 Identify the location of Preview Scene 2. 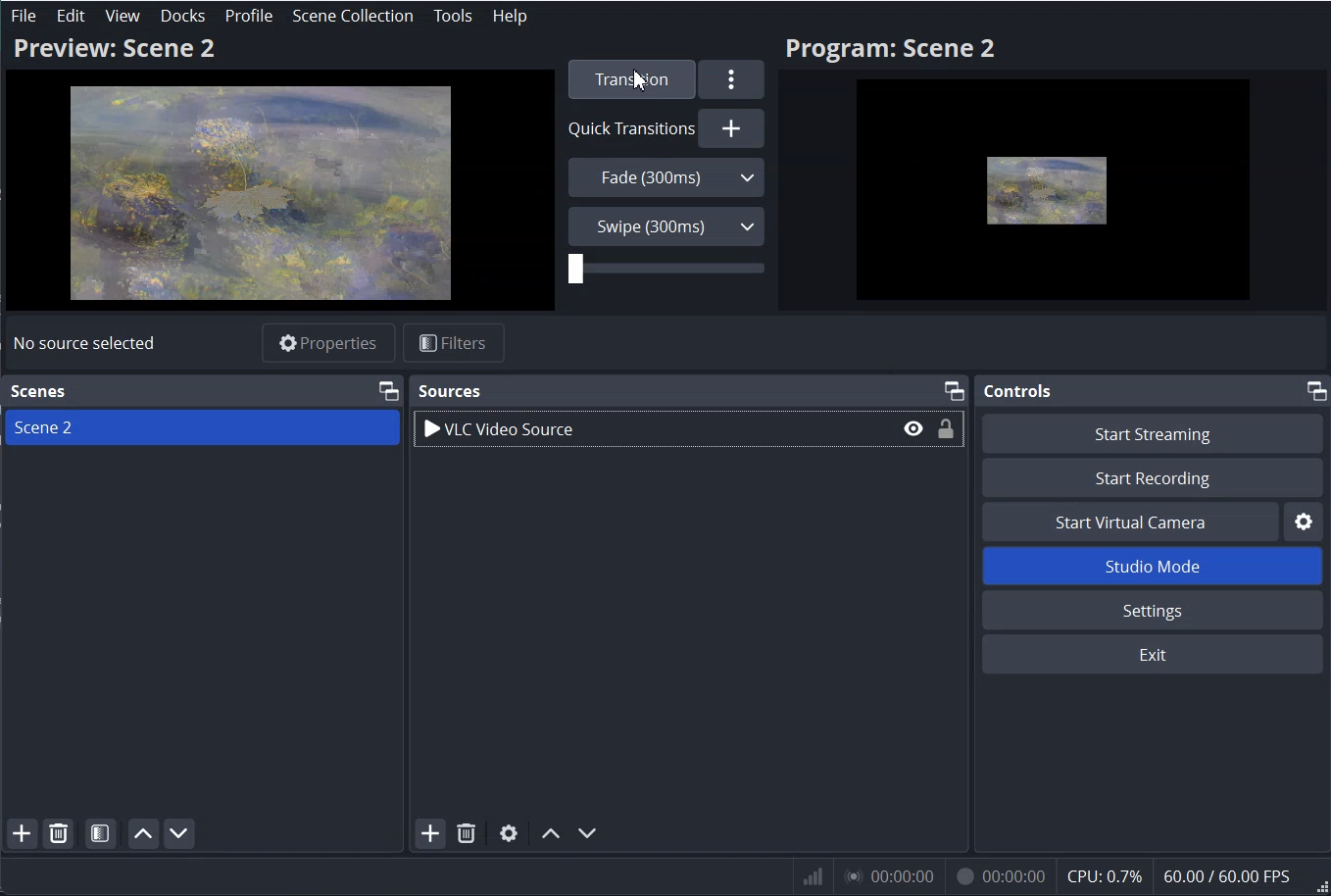
(278, 172).